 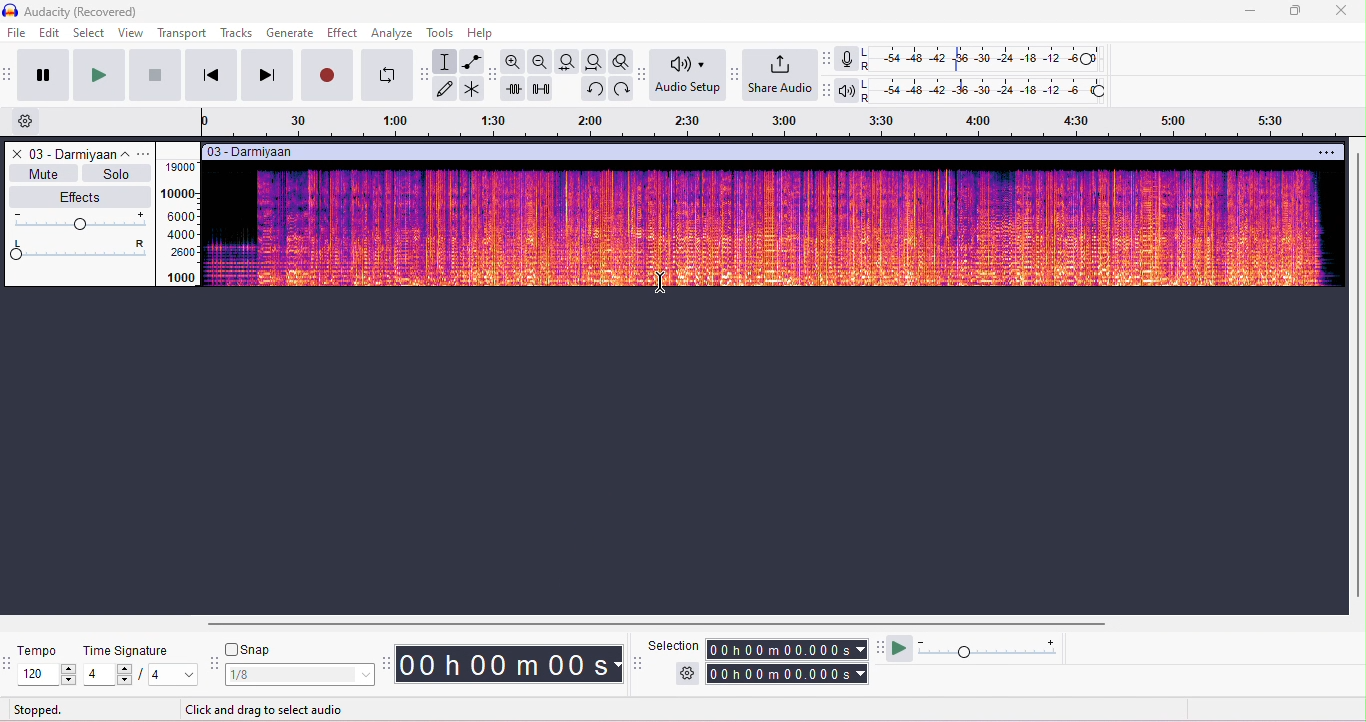 I want to click on playback speed, so click(x=991, y=649).